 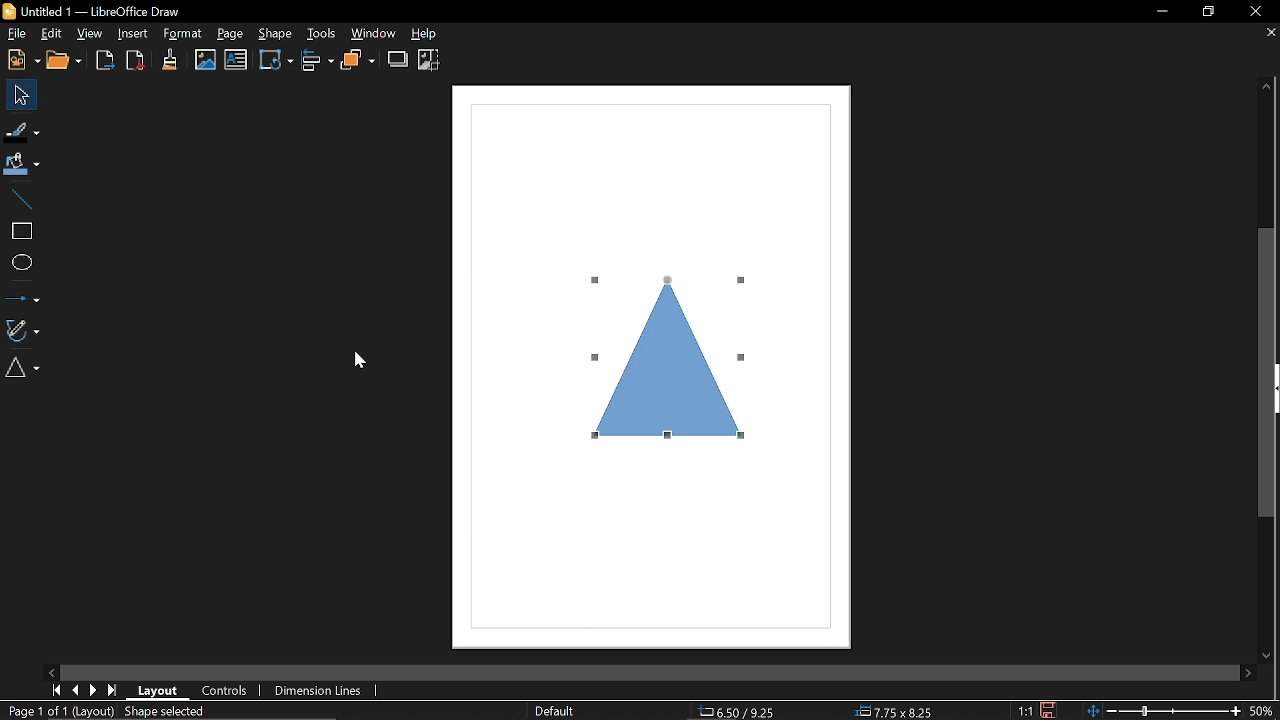 I want to click on Basic shapes, so click(x=24, y=367).